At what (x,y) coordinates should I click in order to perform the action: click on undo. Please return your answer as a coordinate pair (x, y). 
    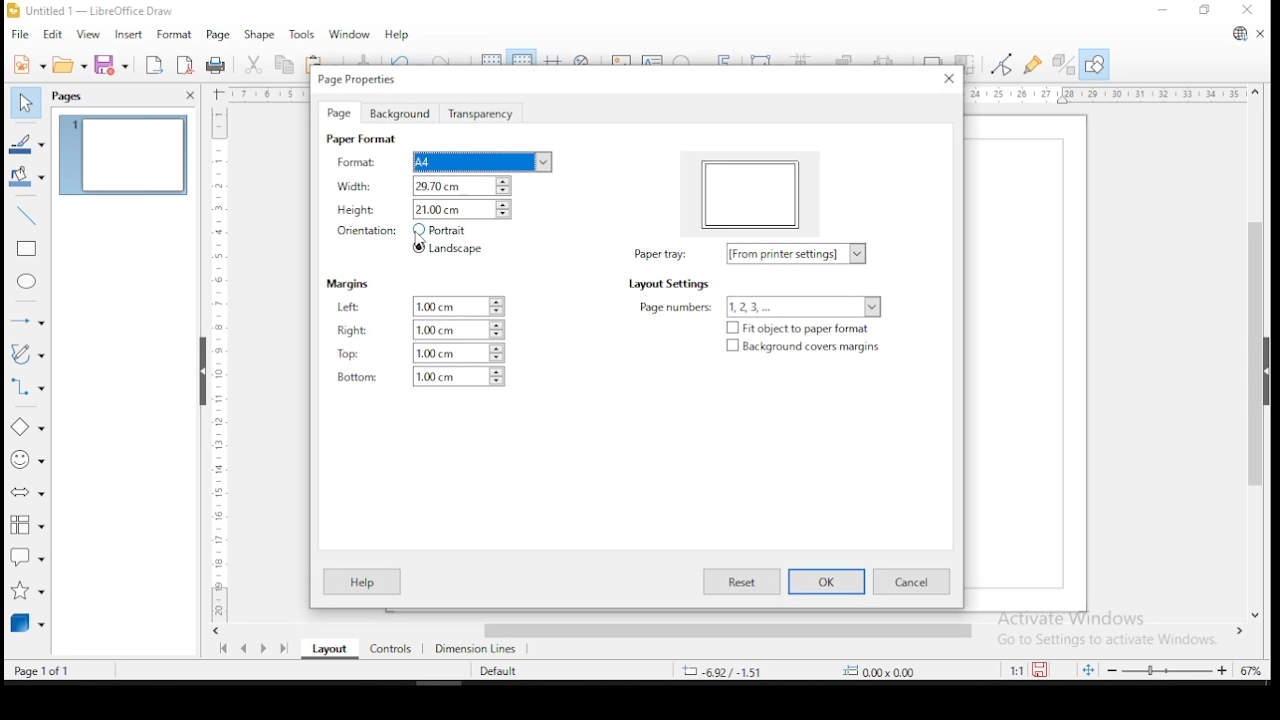
    Looking at the image, I should click on (407, 58).